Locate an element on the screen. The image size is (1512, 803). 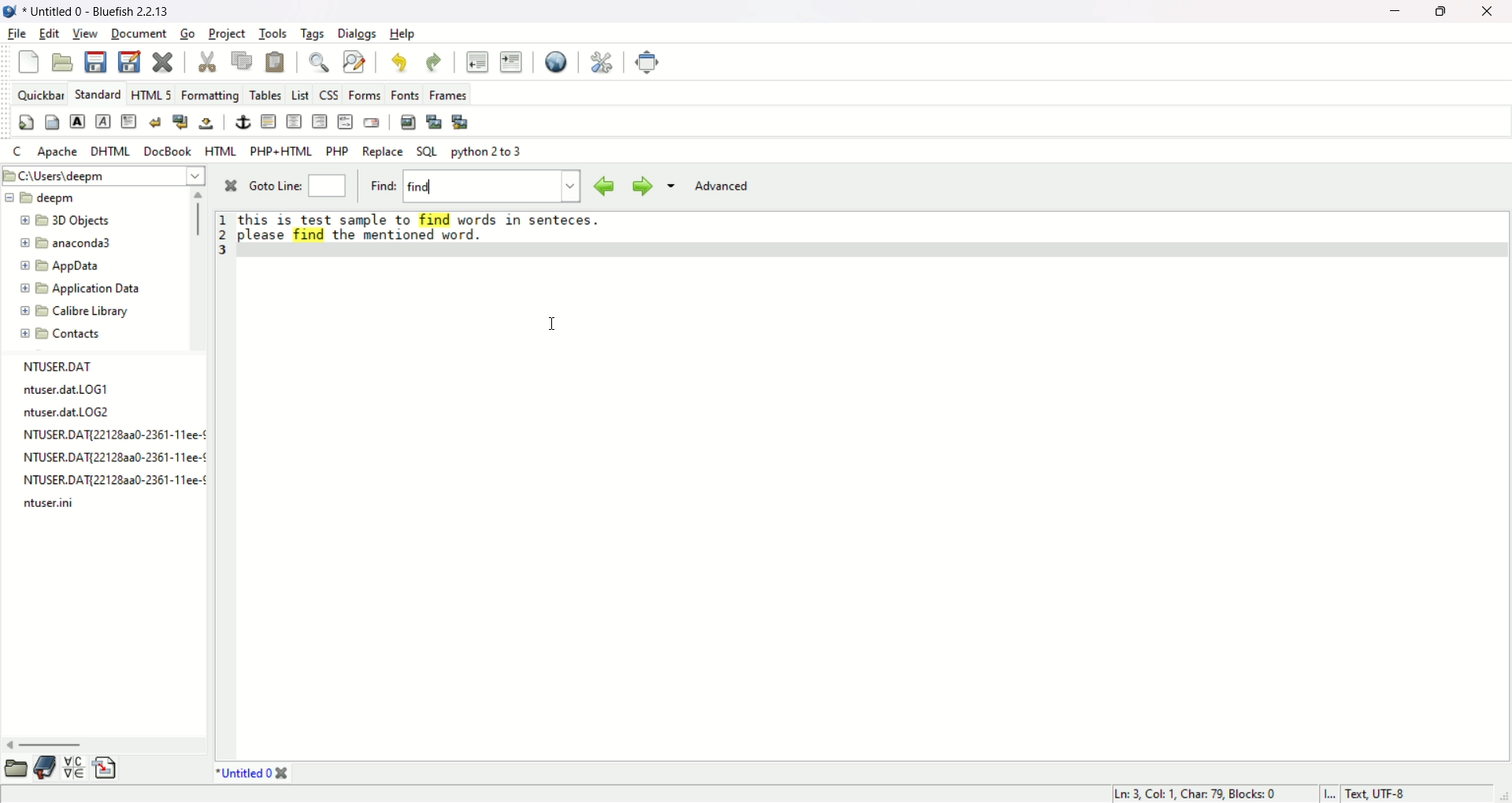
next is located at coordinates (640, 187).